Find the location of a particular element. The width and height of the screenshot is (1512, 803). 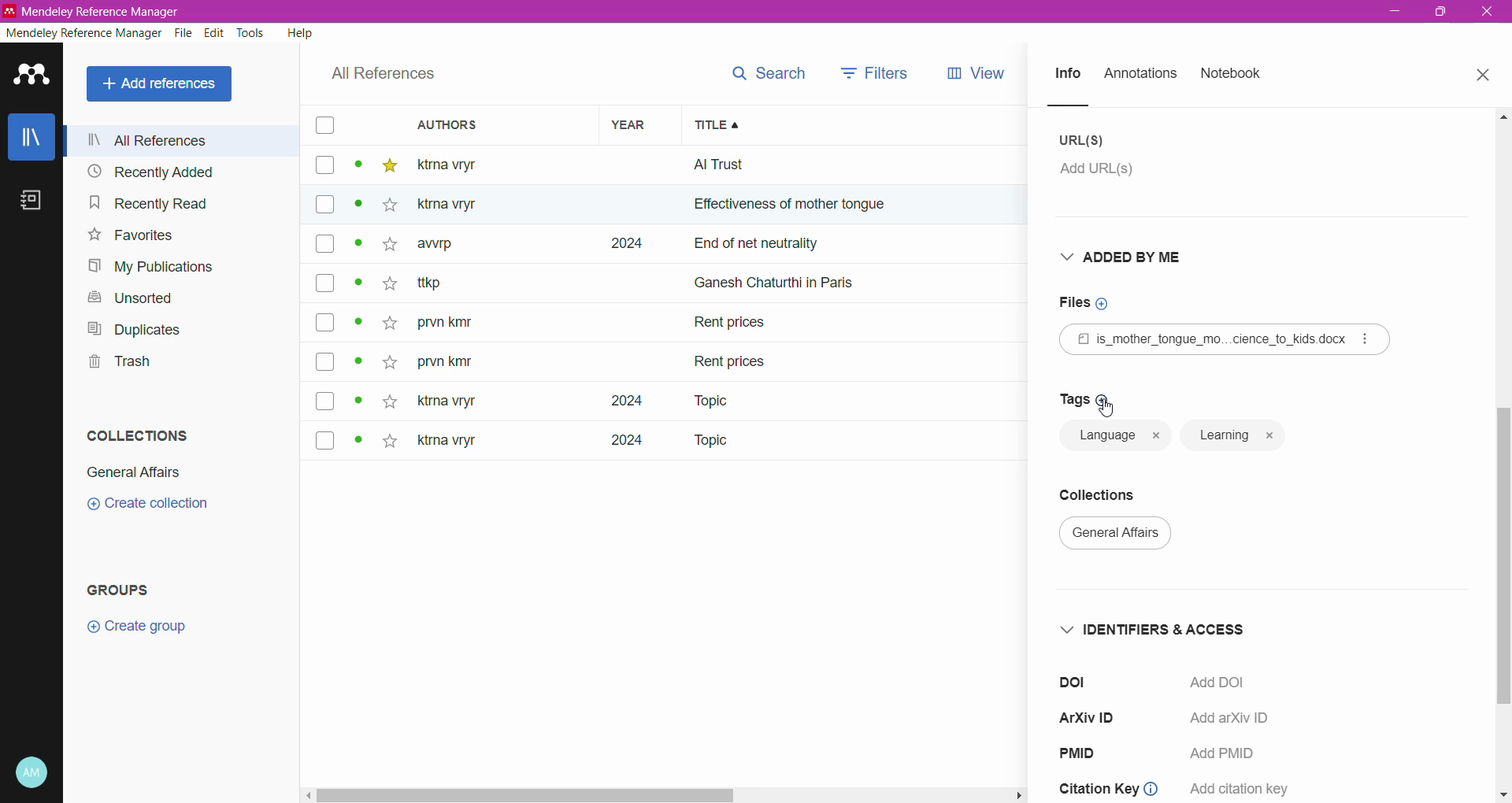

end of net neutrally  is located at coordinates (862, 246).